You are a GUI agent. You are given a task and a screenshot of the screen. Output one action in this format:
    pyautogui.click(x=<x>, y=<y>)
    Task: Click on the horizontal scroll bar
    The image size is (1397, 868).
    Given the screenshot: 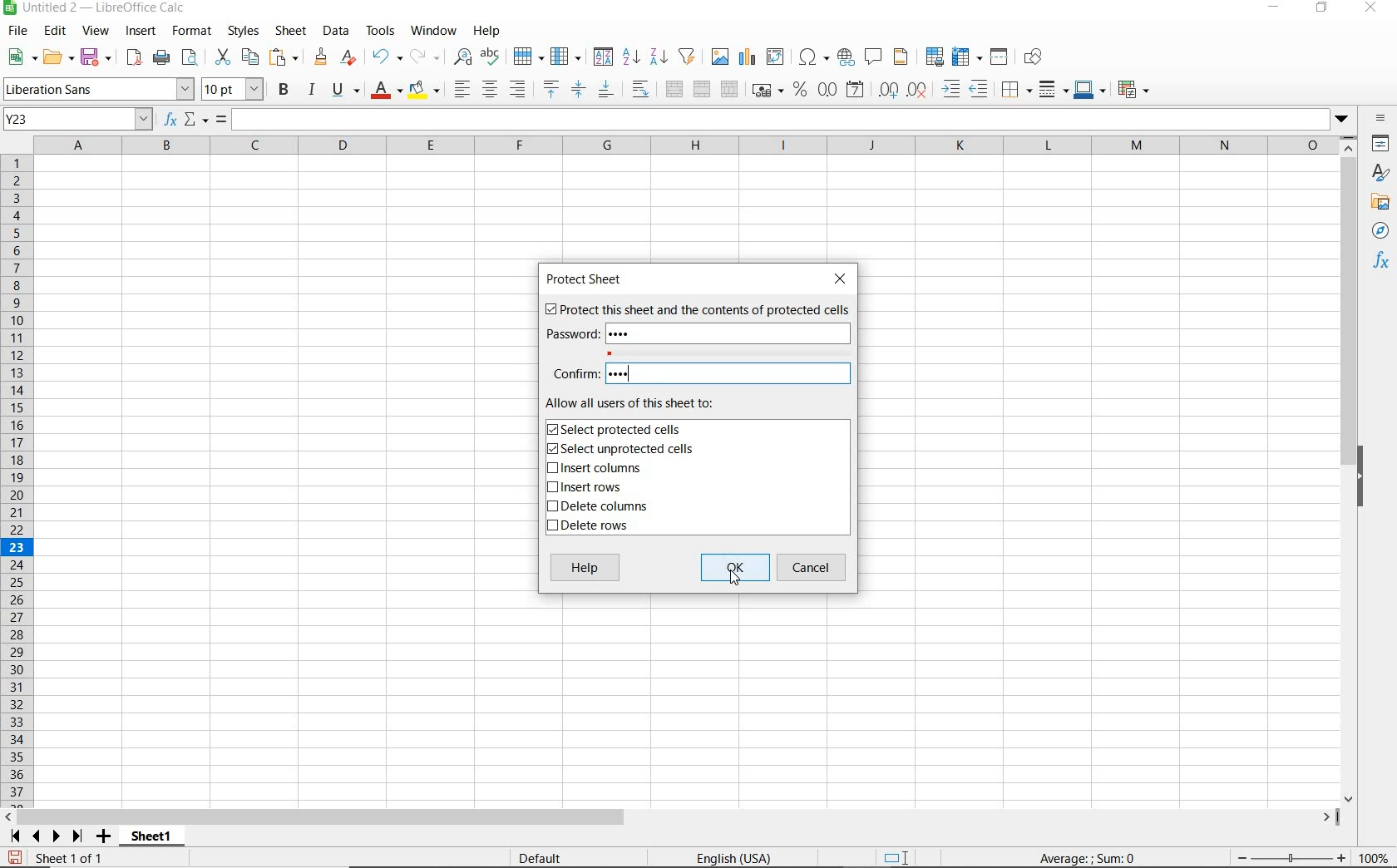 What is the action you would take?
    pyautogui.click(x=682, y=815)
    